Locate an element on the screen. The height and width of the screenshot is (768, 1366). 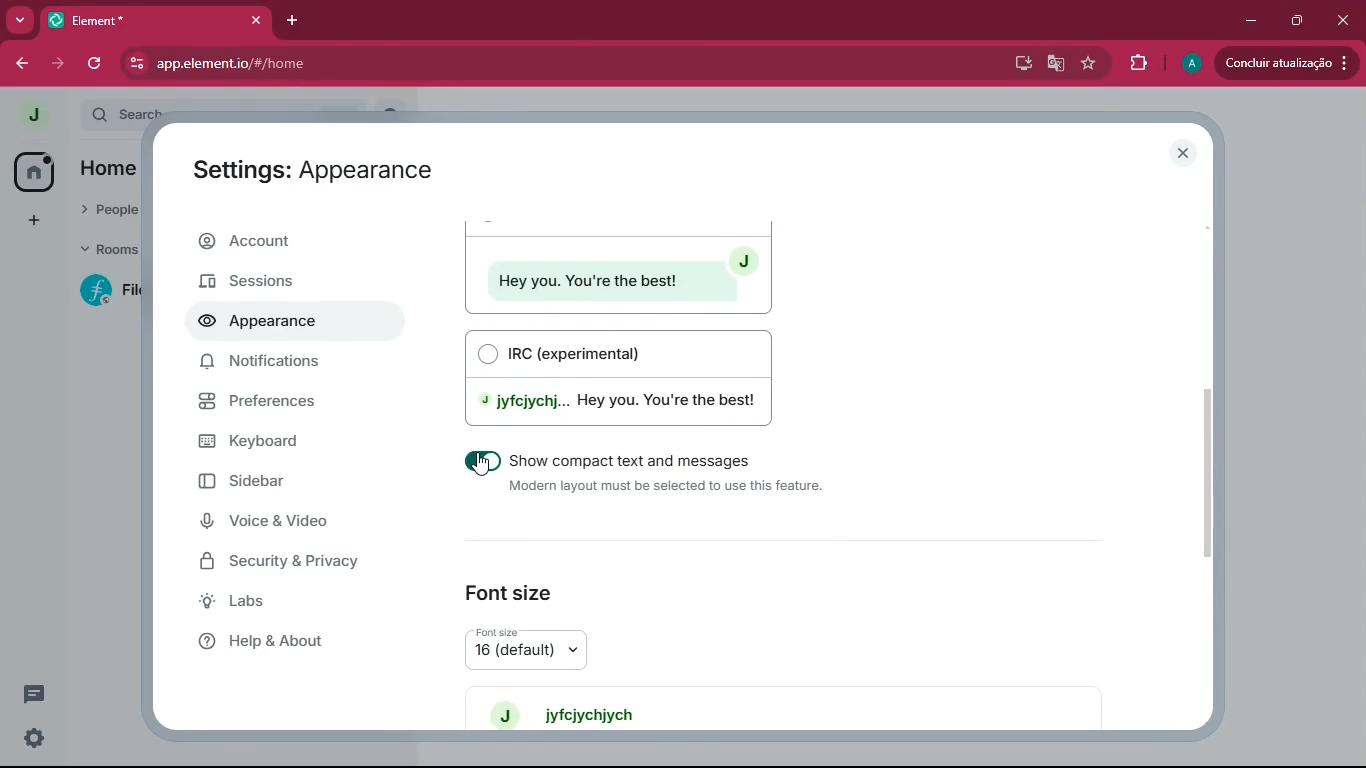
maximize is located at coordinates (1299, 20).